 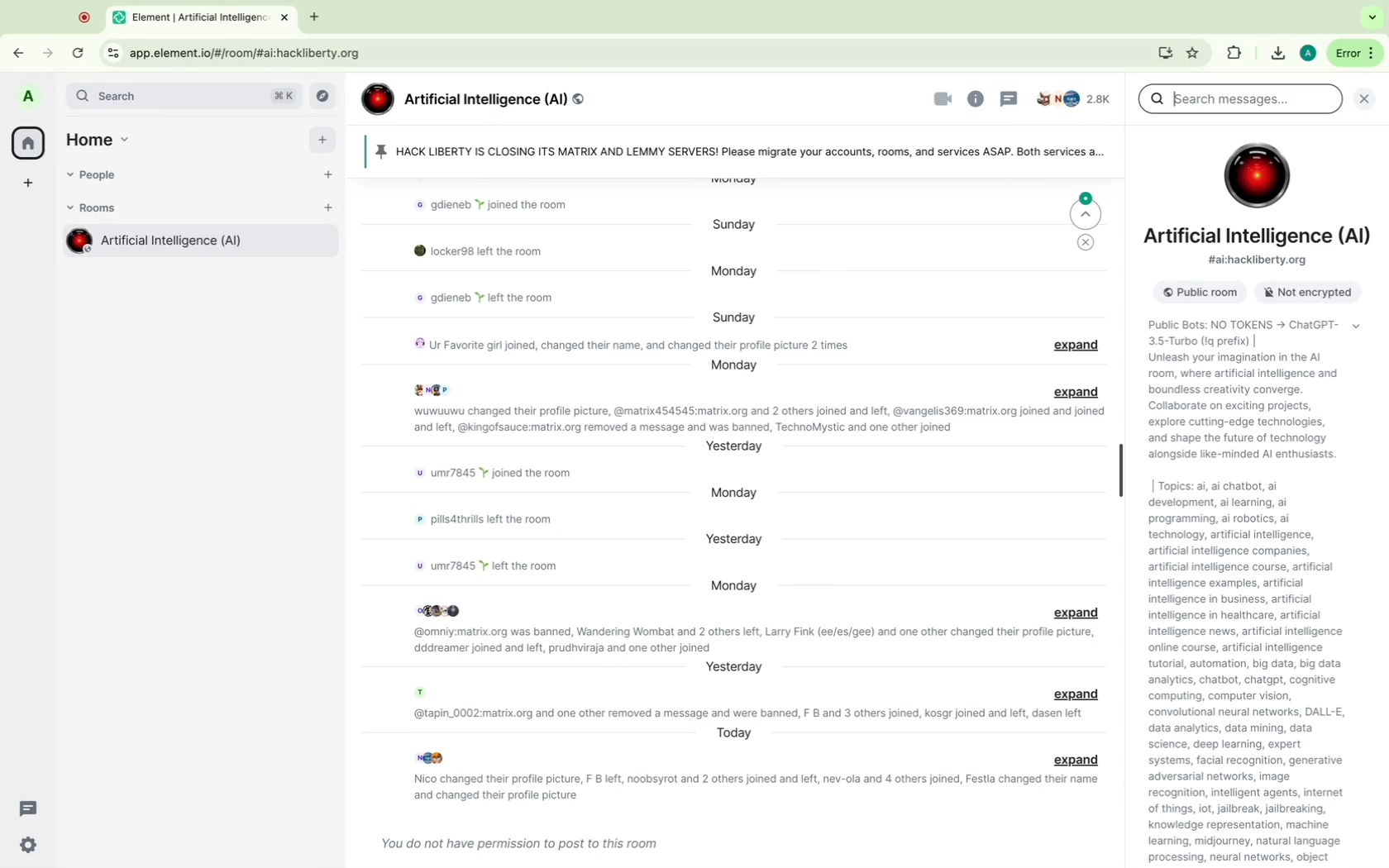 I want to click on expand, so click(x=1083, y=346).